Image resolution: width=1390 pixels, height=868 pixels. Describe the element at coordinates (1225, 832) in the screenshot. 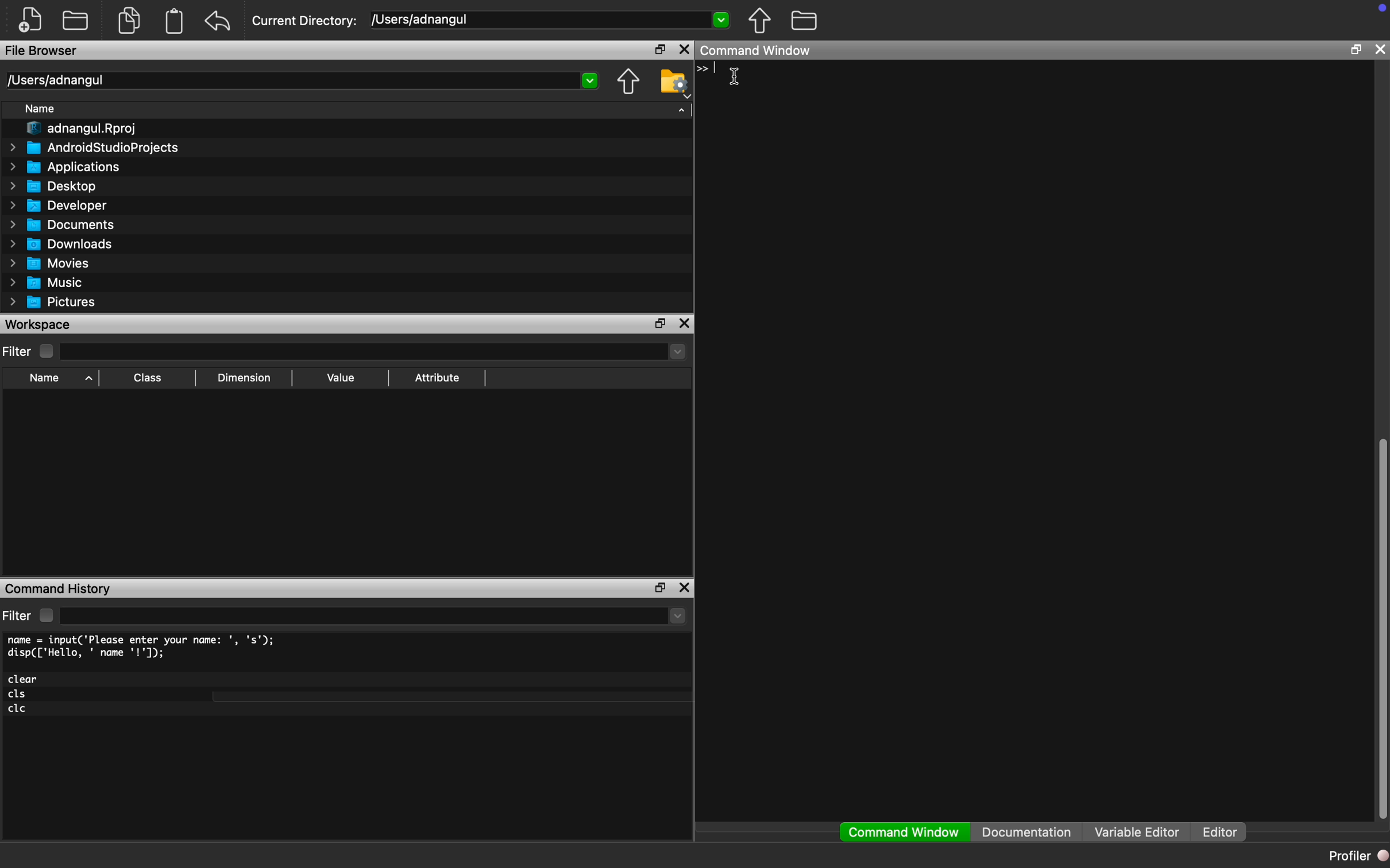

I see `Editor` at that location.